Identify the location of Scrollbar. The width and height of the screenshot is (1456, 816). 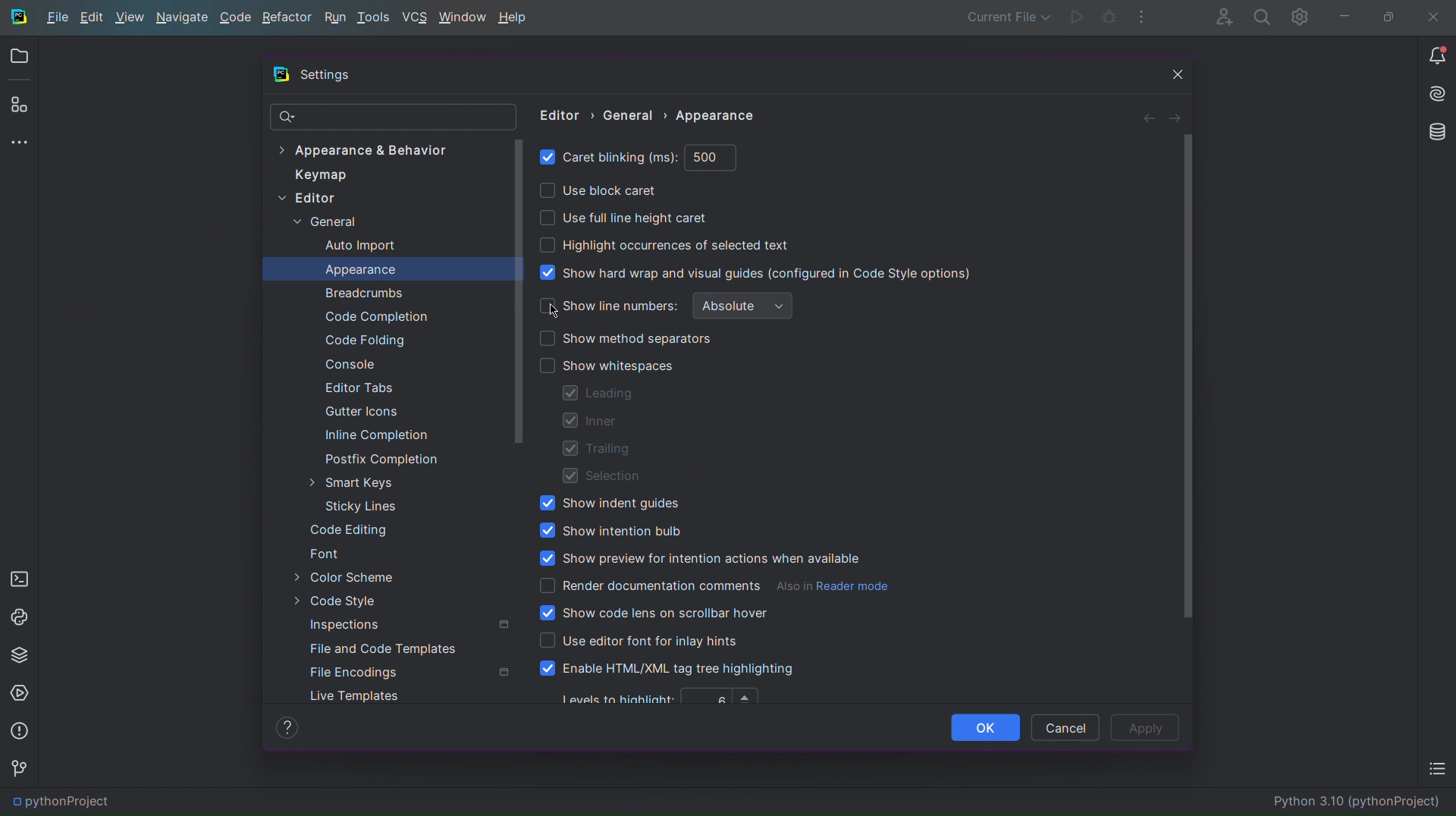
(521, 291).